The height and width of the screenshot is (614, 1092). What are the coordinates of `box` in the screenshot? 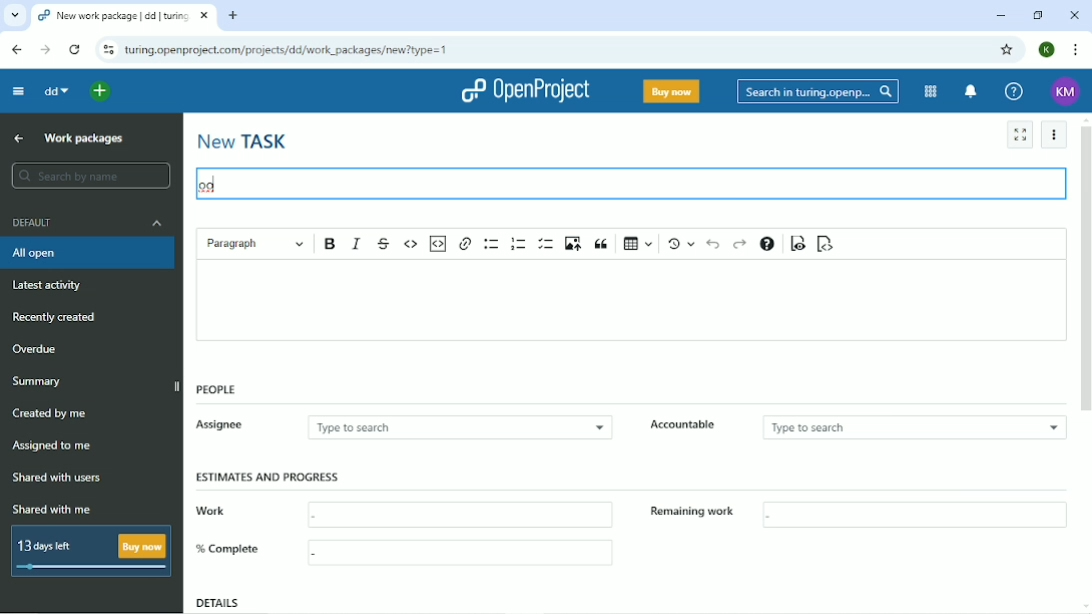 It's located at (919, 516).